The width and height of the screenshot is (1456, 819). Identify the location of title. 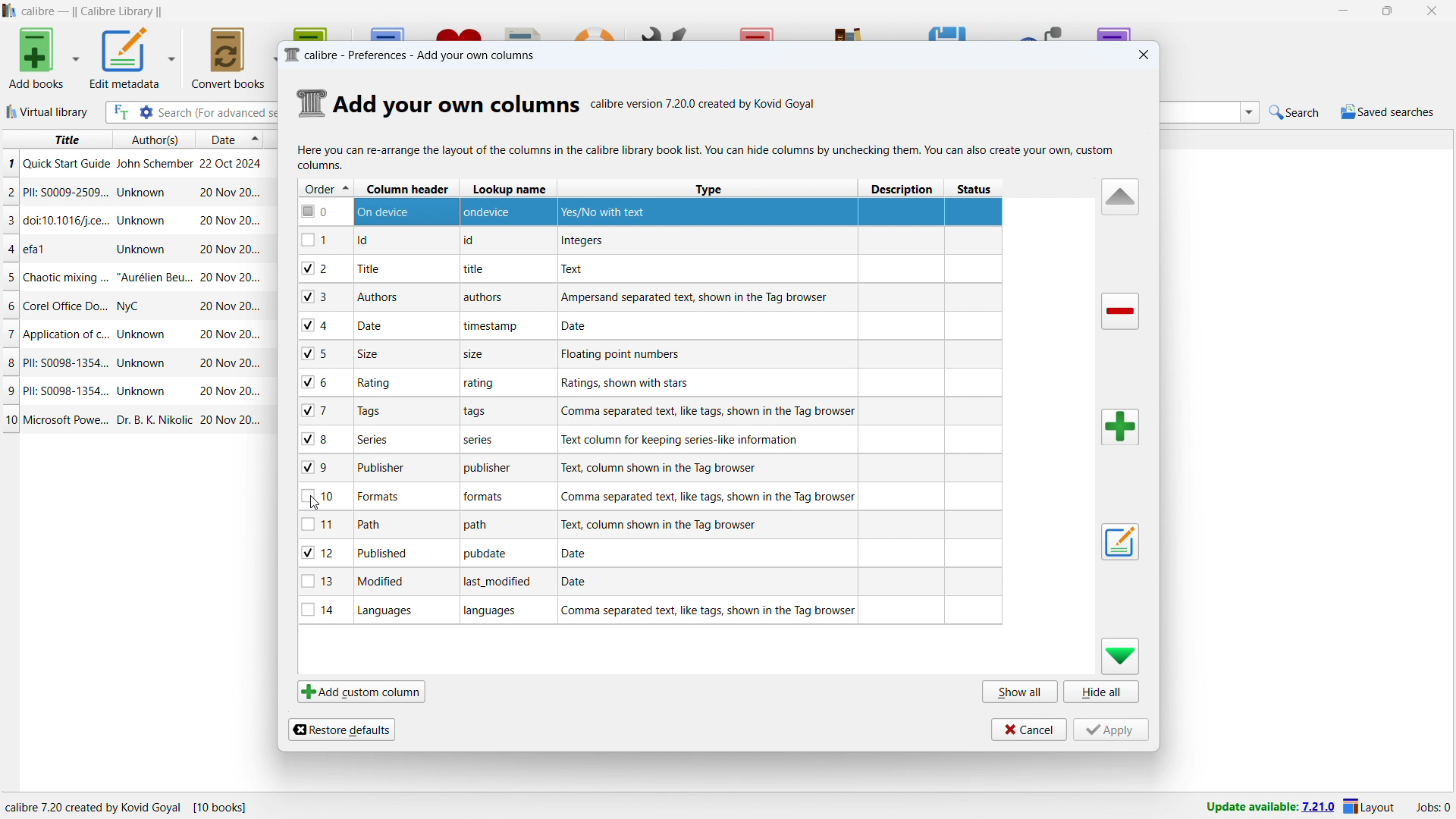
(92, 11).